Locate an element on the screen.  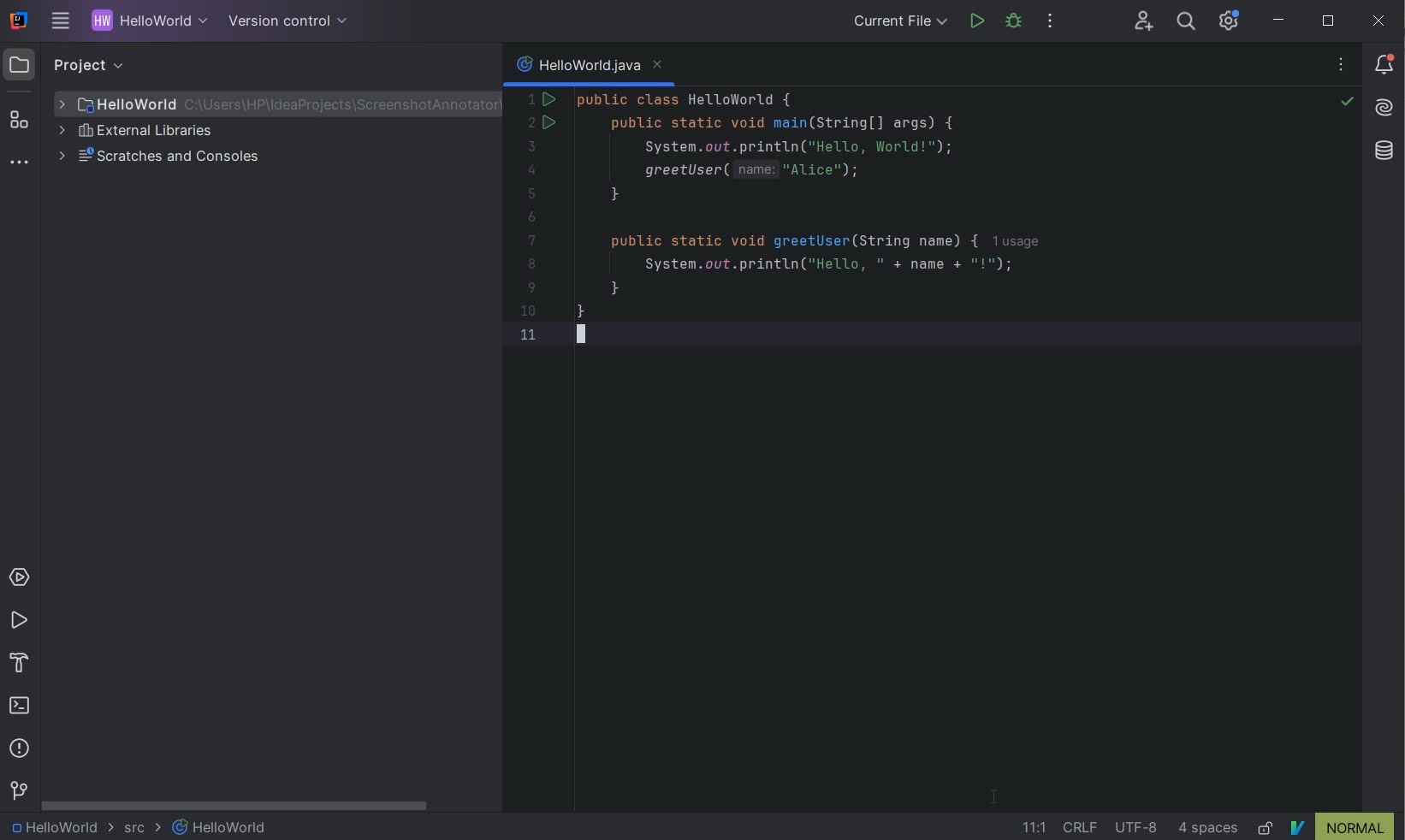
RECENT FILES, TAB ACTIONS, AND MORE is located at coordinates (1343, 67).